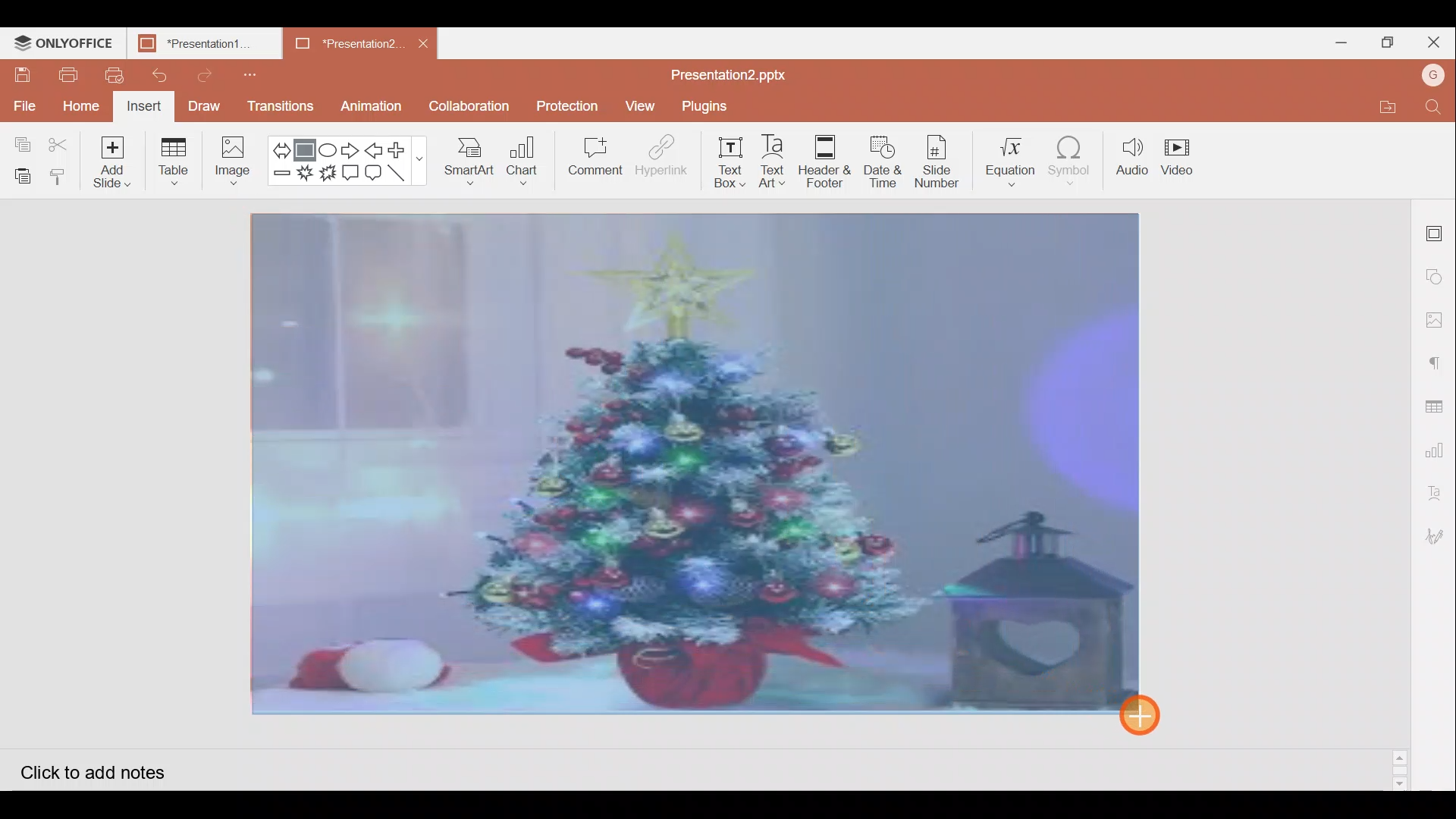 The image size is (1456, 819). What do you see at coordinates (1182, 162) in the screenshot?
I see `Video` at bounding box center [1182, 162].